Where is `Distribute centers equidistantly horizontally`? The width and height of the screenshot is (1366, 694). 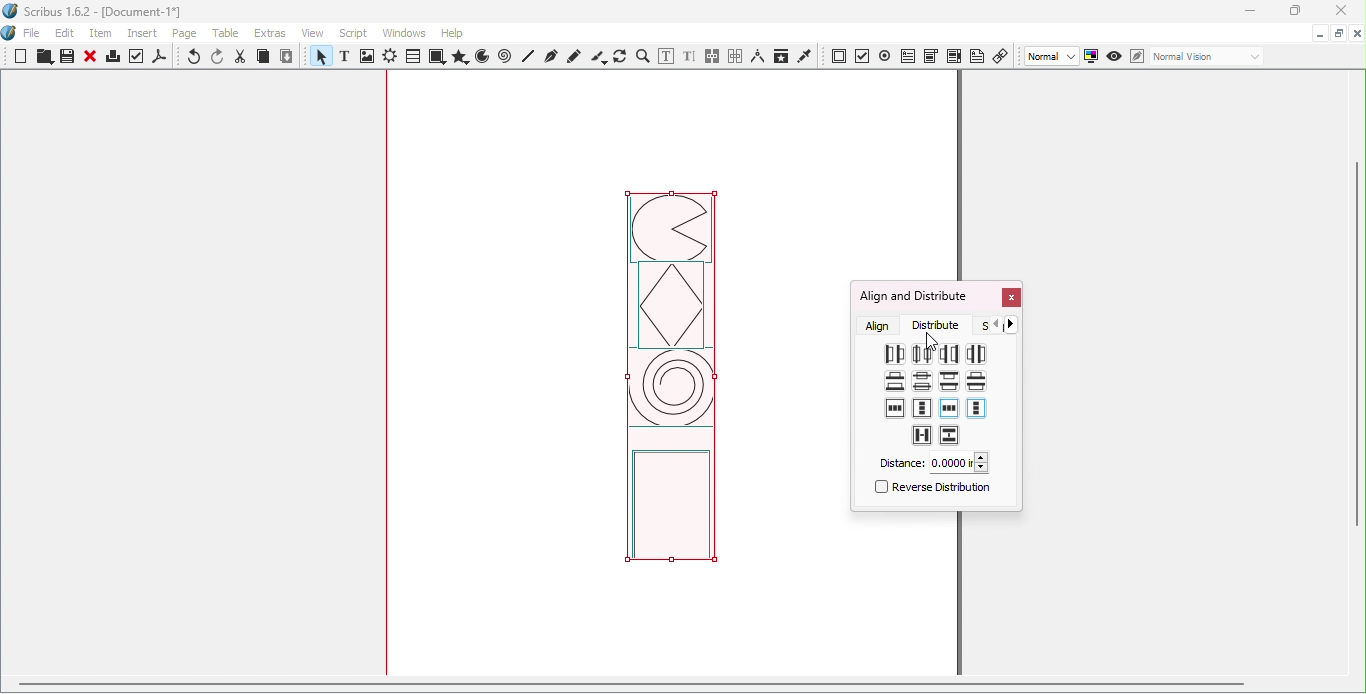
Distribute centers equidistantly horizontally is located at coordinates (921, 353).